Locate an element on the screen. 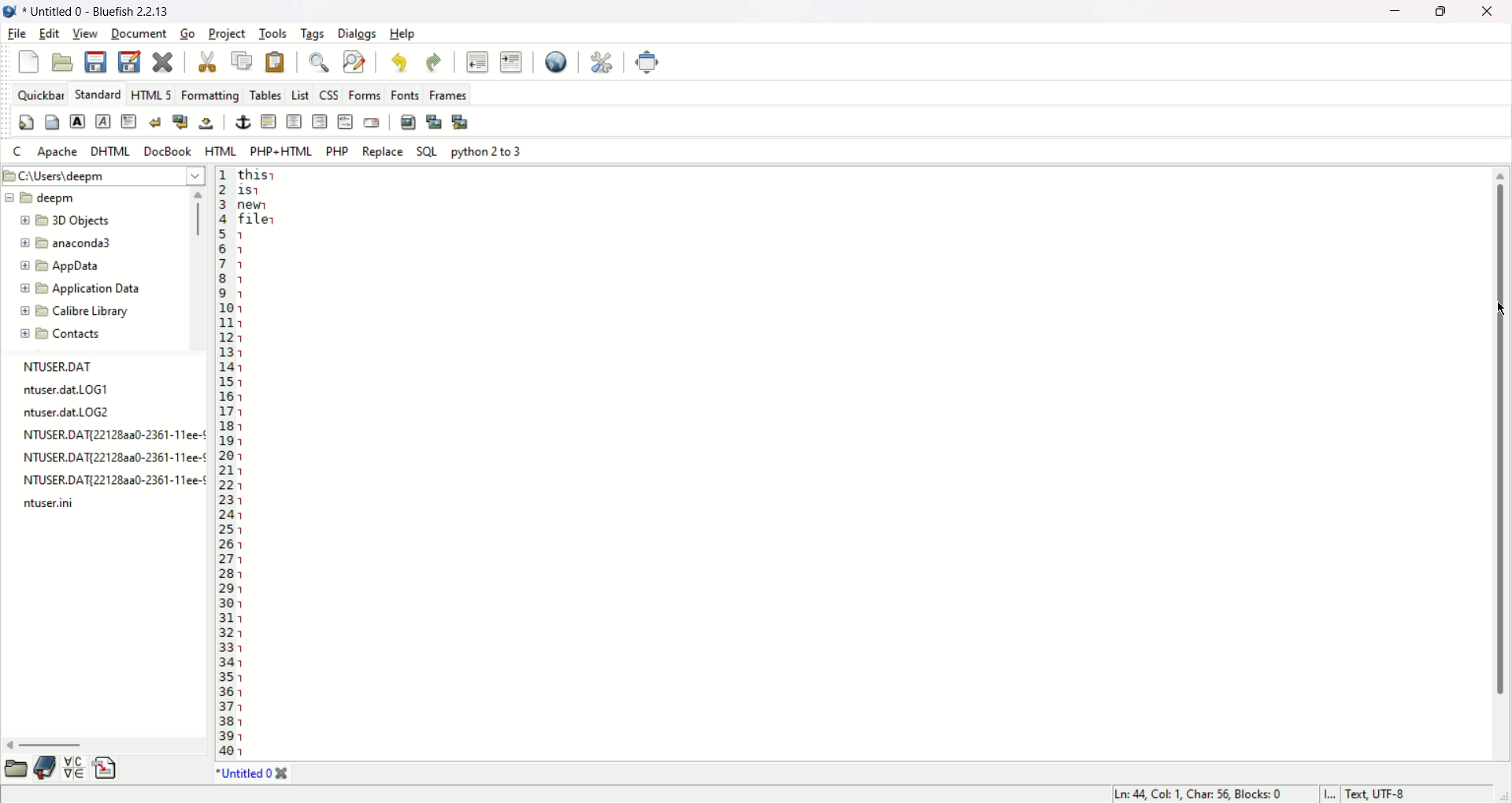 The width and height of the screenshot is (1512, 803). Formatting is located at coordinates (209, 94).